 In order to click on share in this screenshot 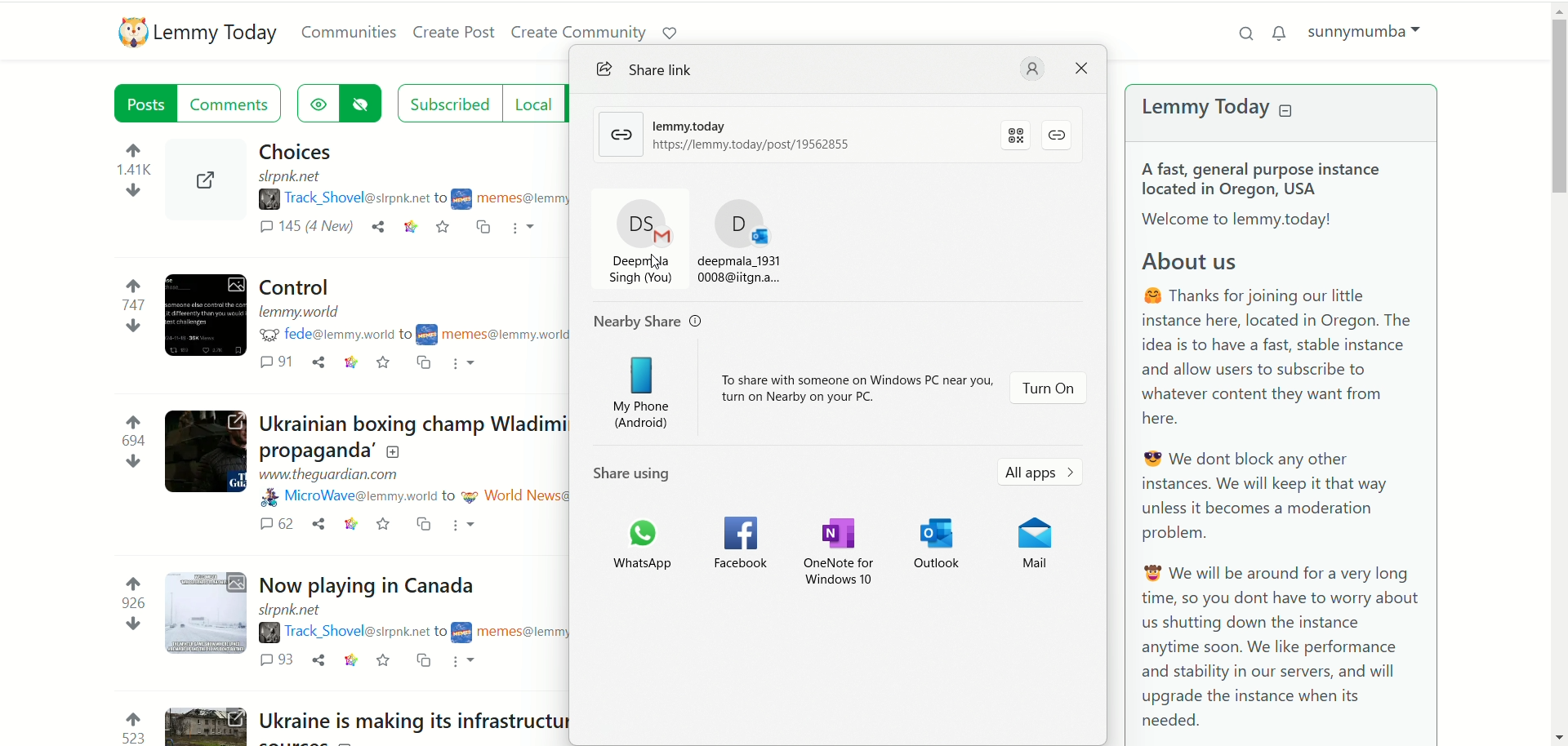, I will do `click(318, 524)`.